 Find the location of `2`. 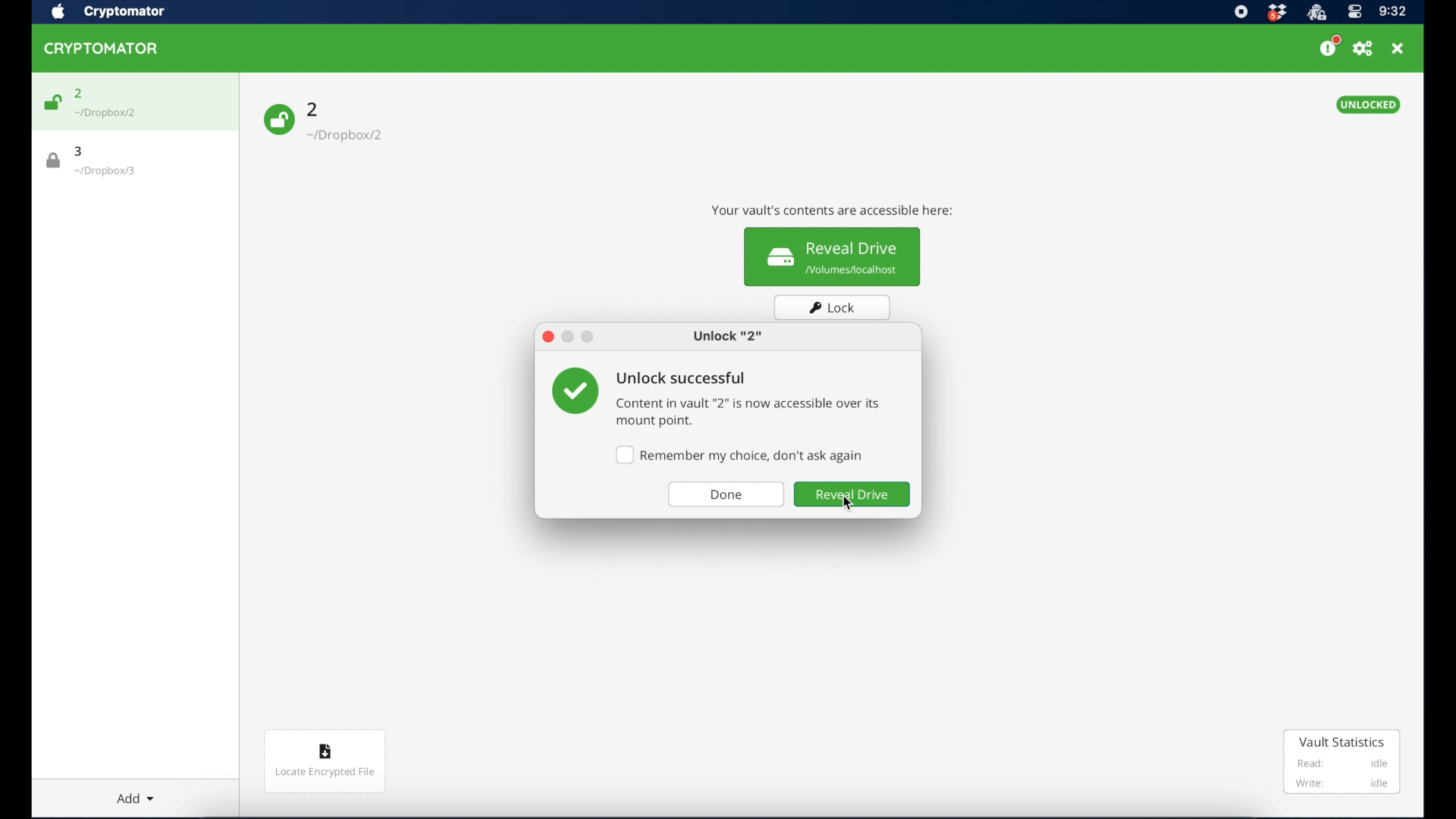

2 is located at coordinates (315, 108).